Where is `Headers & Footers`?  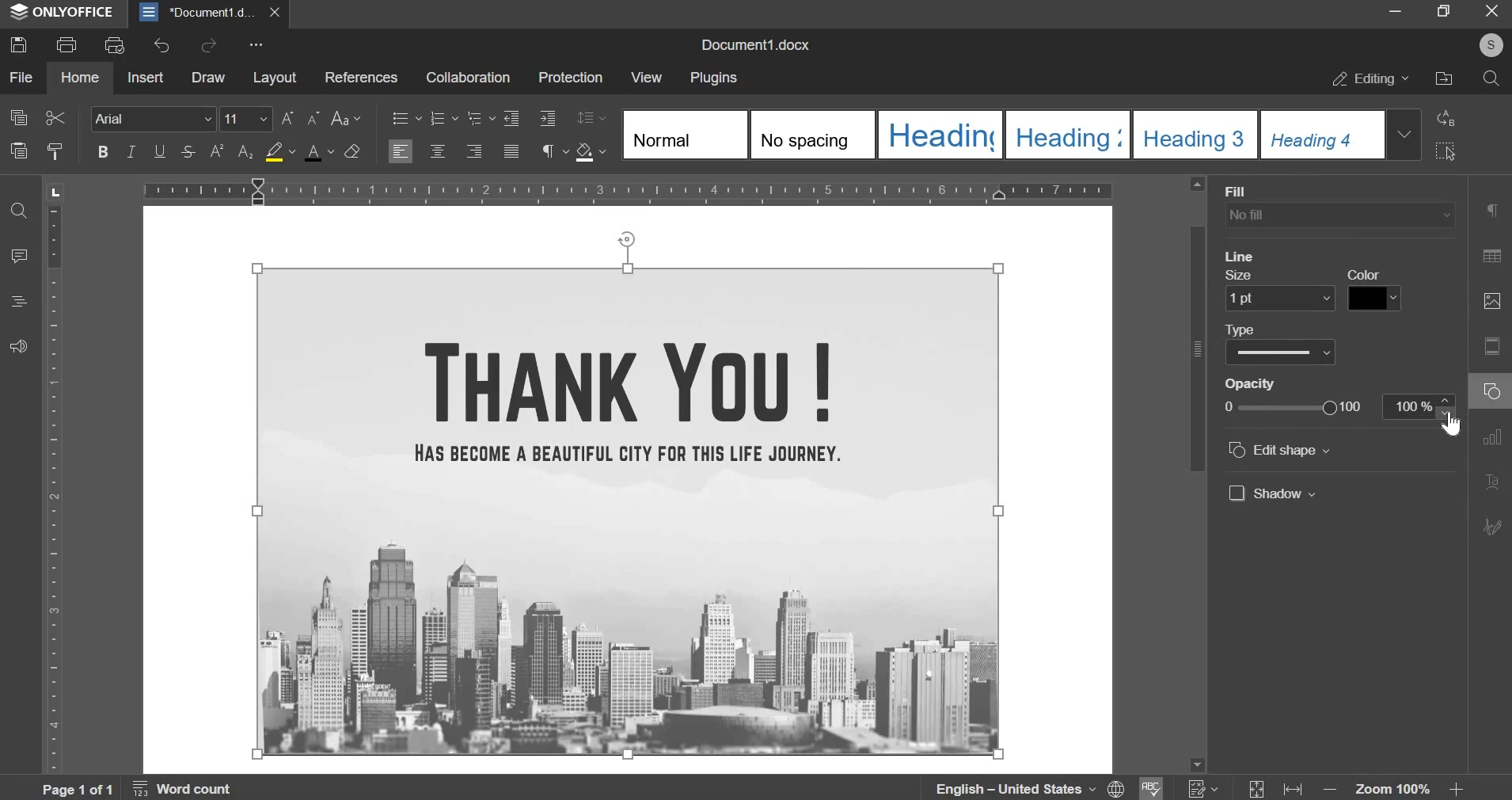
Headers & Footers is located at coordinates (1495, 348).